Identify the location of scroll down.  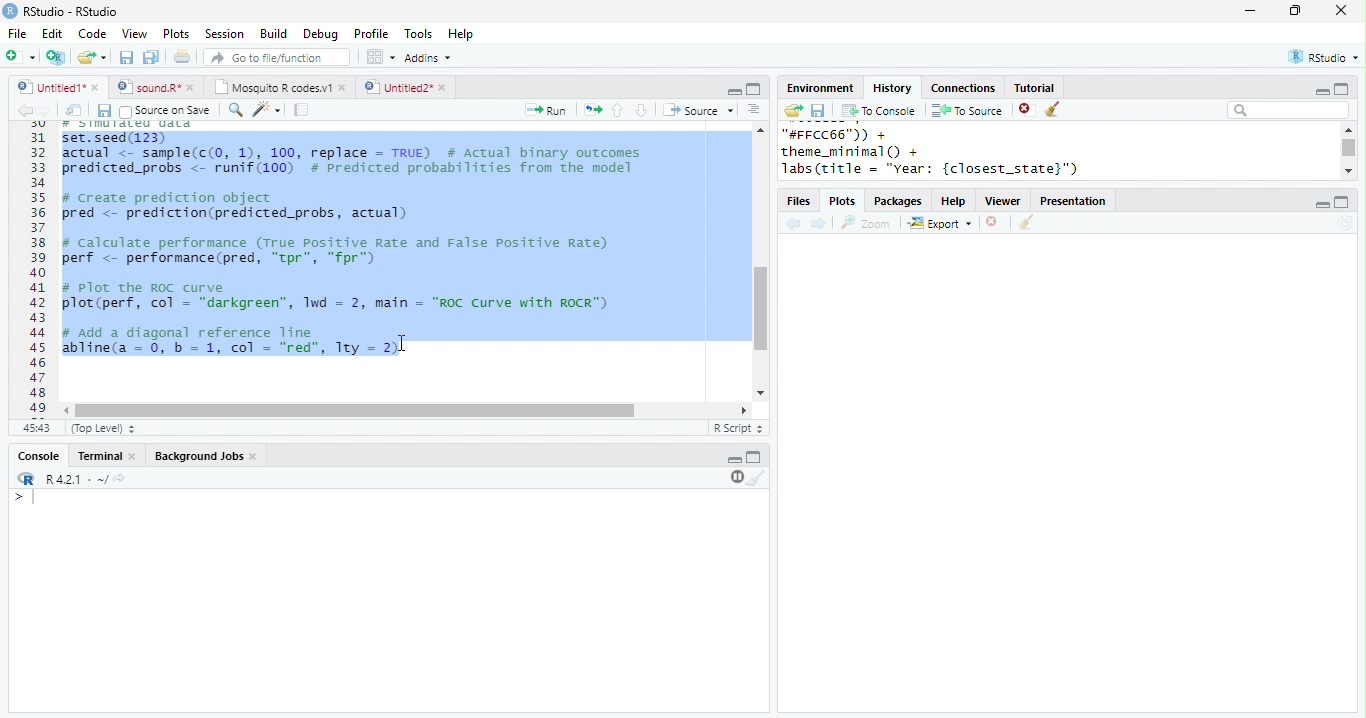
(1348, 170).